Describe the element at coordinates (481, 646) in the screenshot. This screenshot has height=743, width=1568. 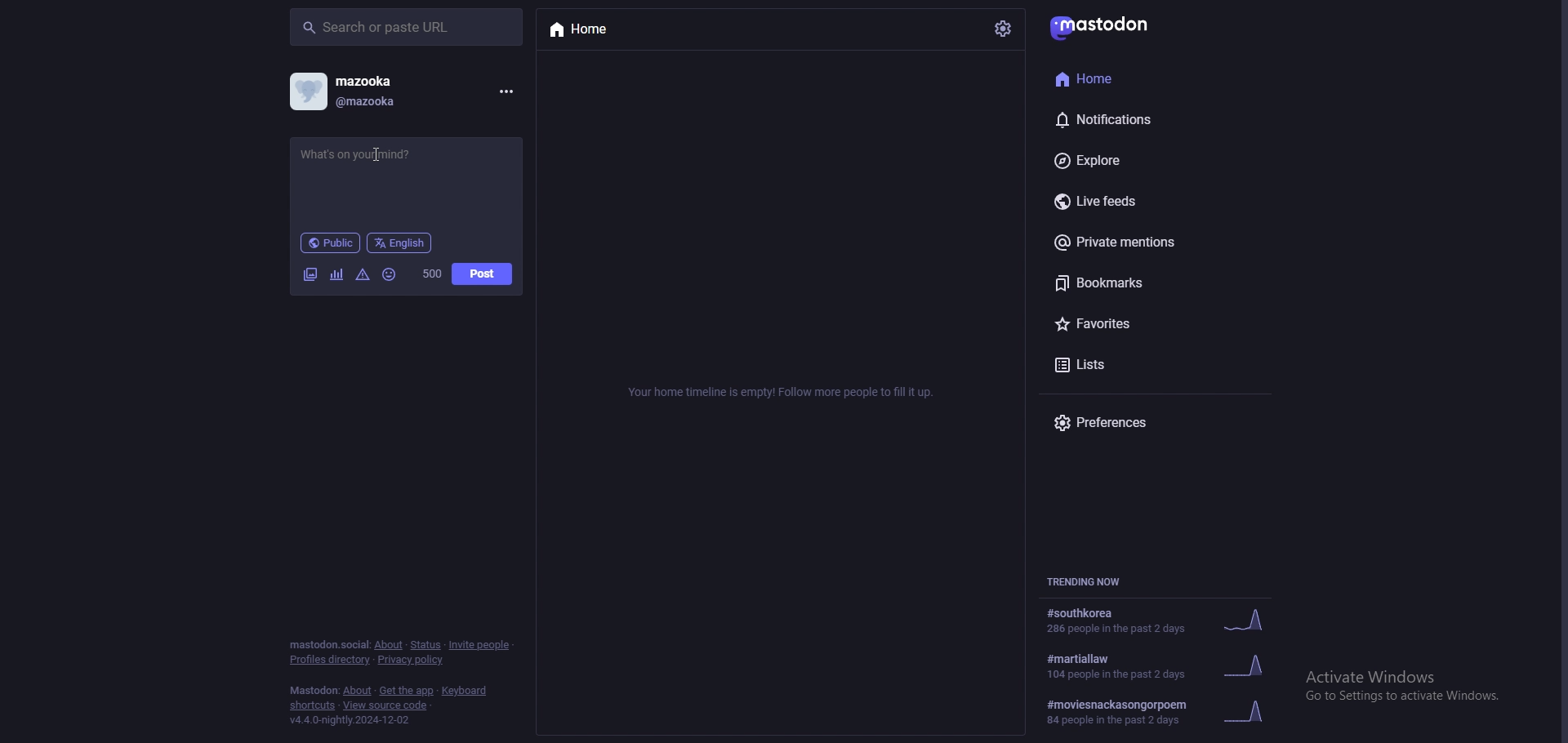
I see `invite people` at that location.